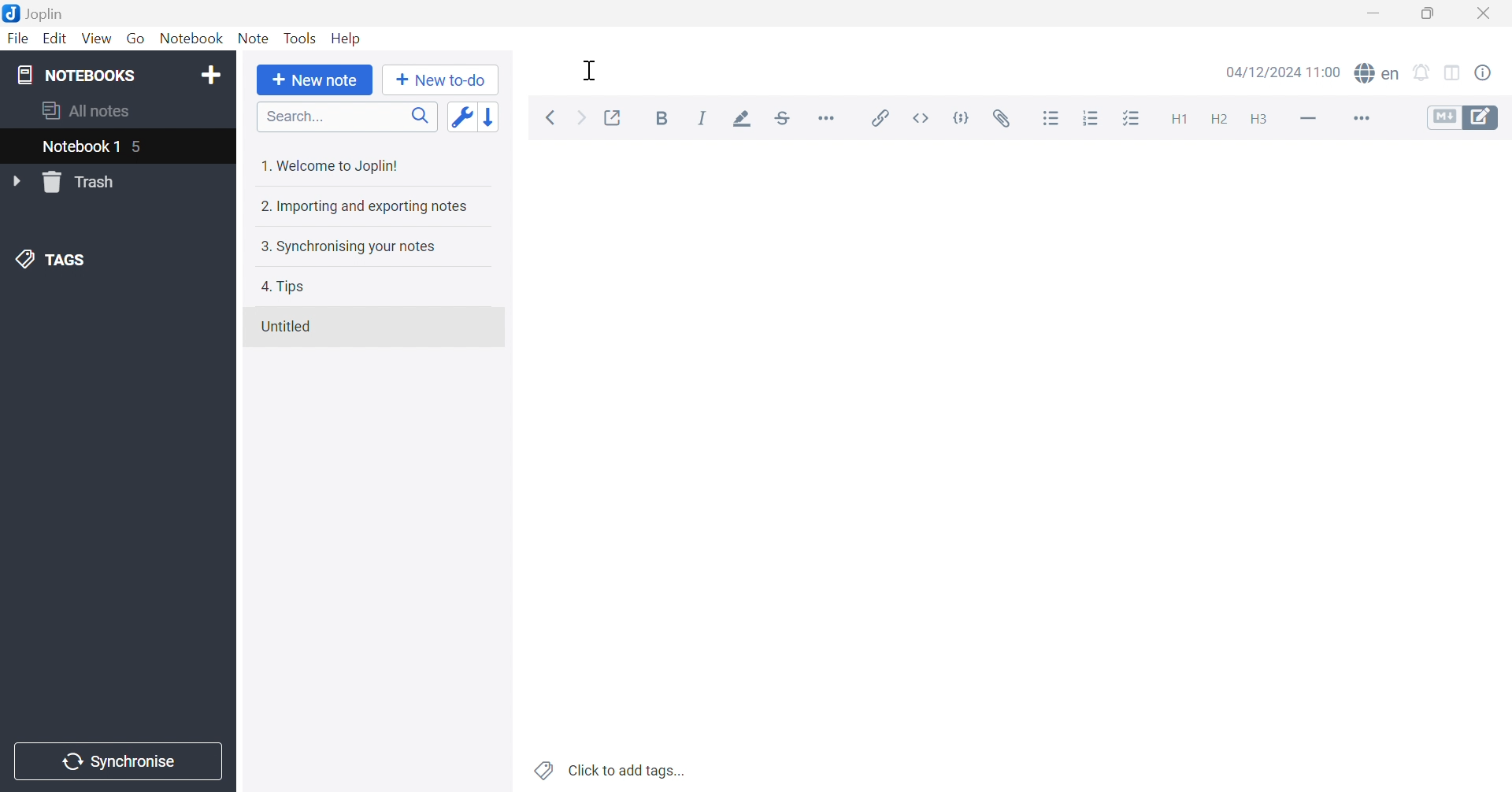  What do you see at coordinates (1051, 119) in the screenshot?
I see `Bulleted list` at bounding box center [1051, 119].